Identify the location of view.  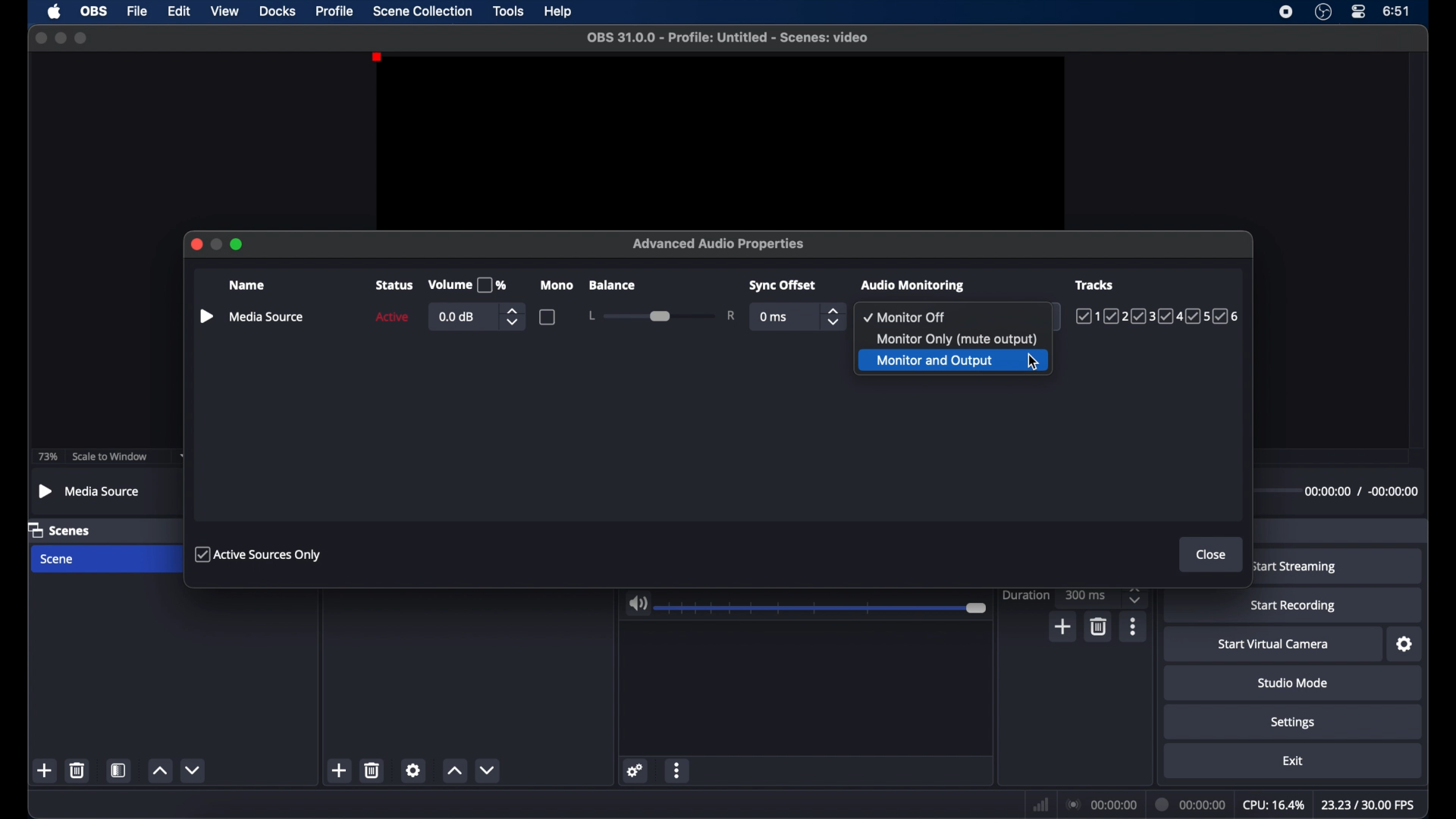
(224, 12).